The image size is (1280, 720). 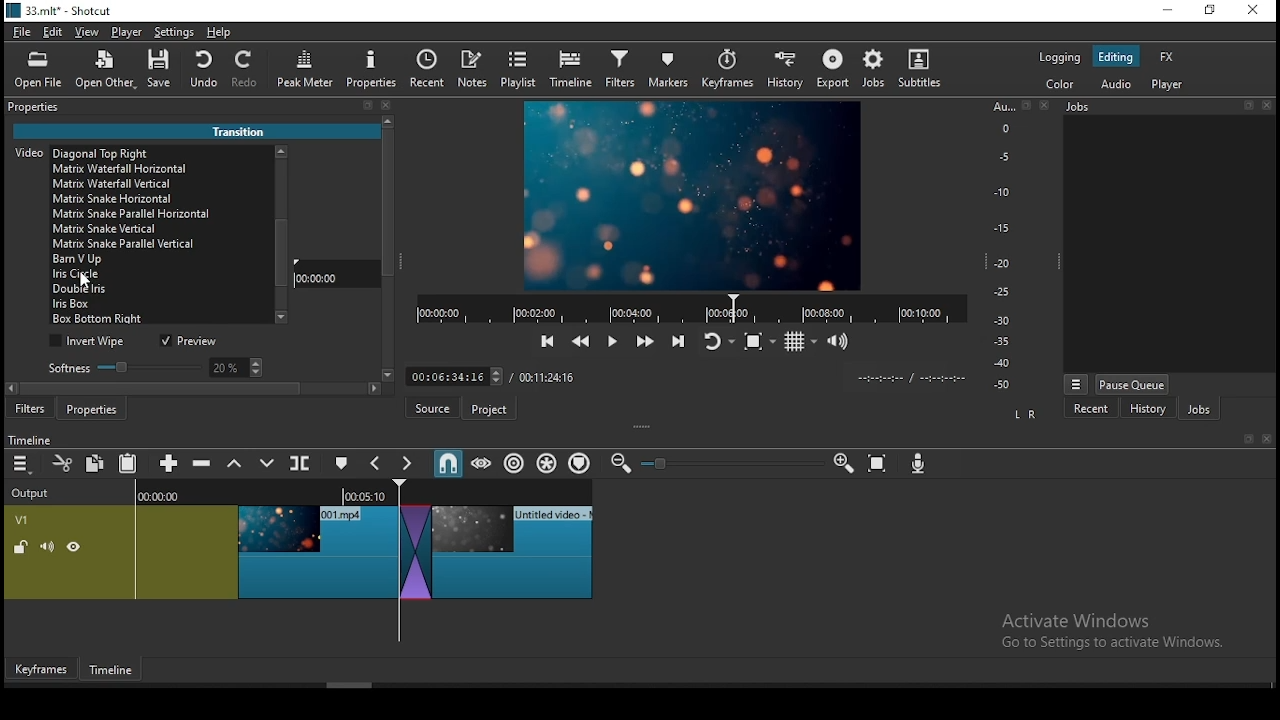 I want to click on toggle grid display on player, so click(x=803, y=339).